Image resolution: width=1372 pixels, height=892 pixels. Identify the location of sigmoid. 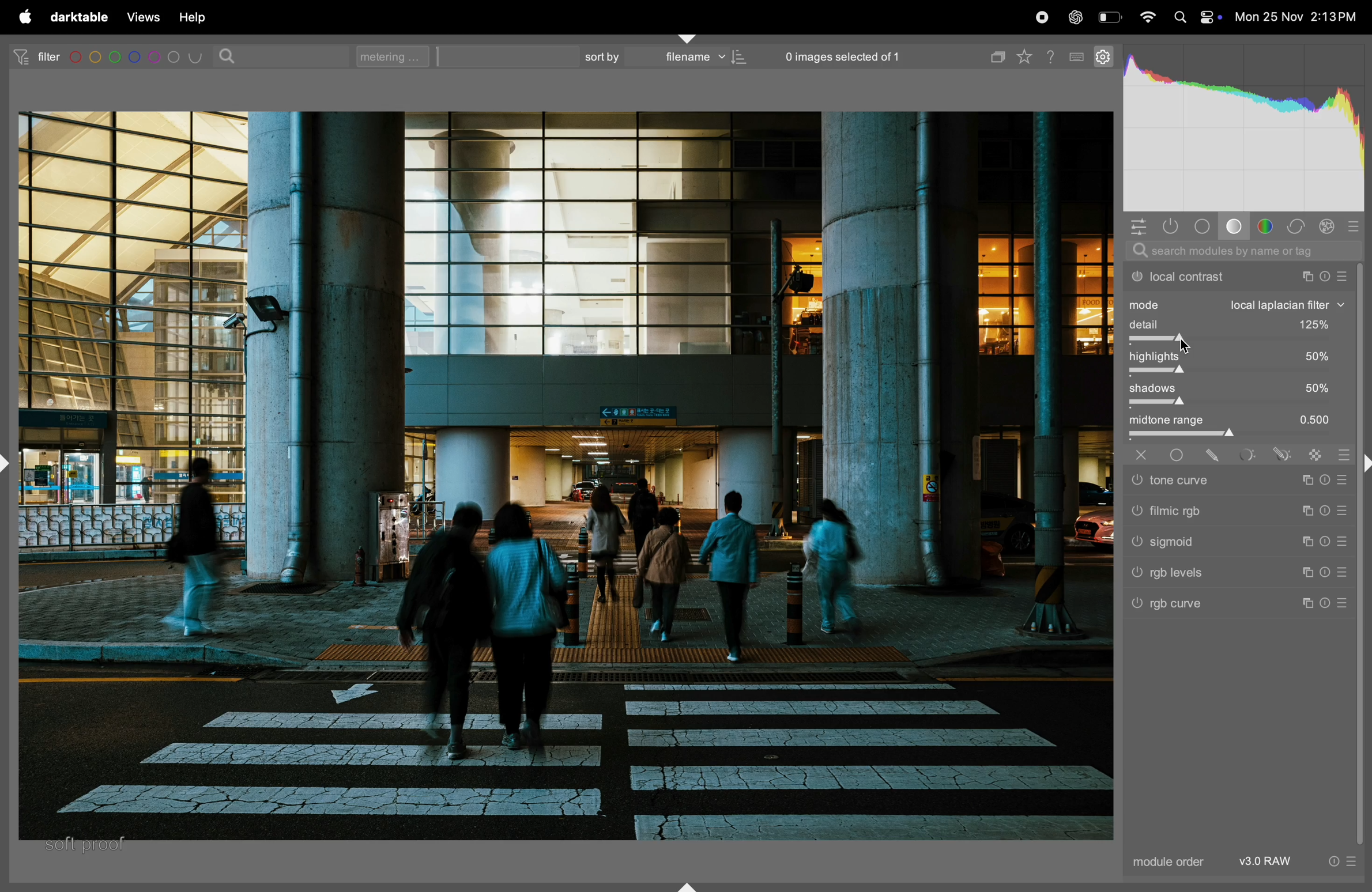
(1229, 542).